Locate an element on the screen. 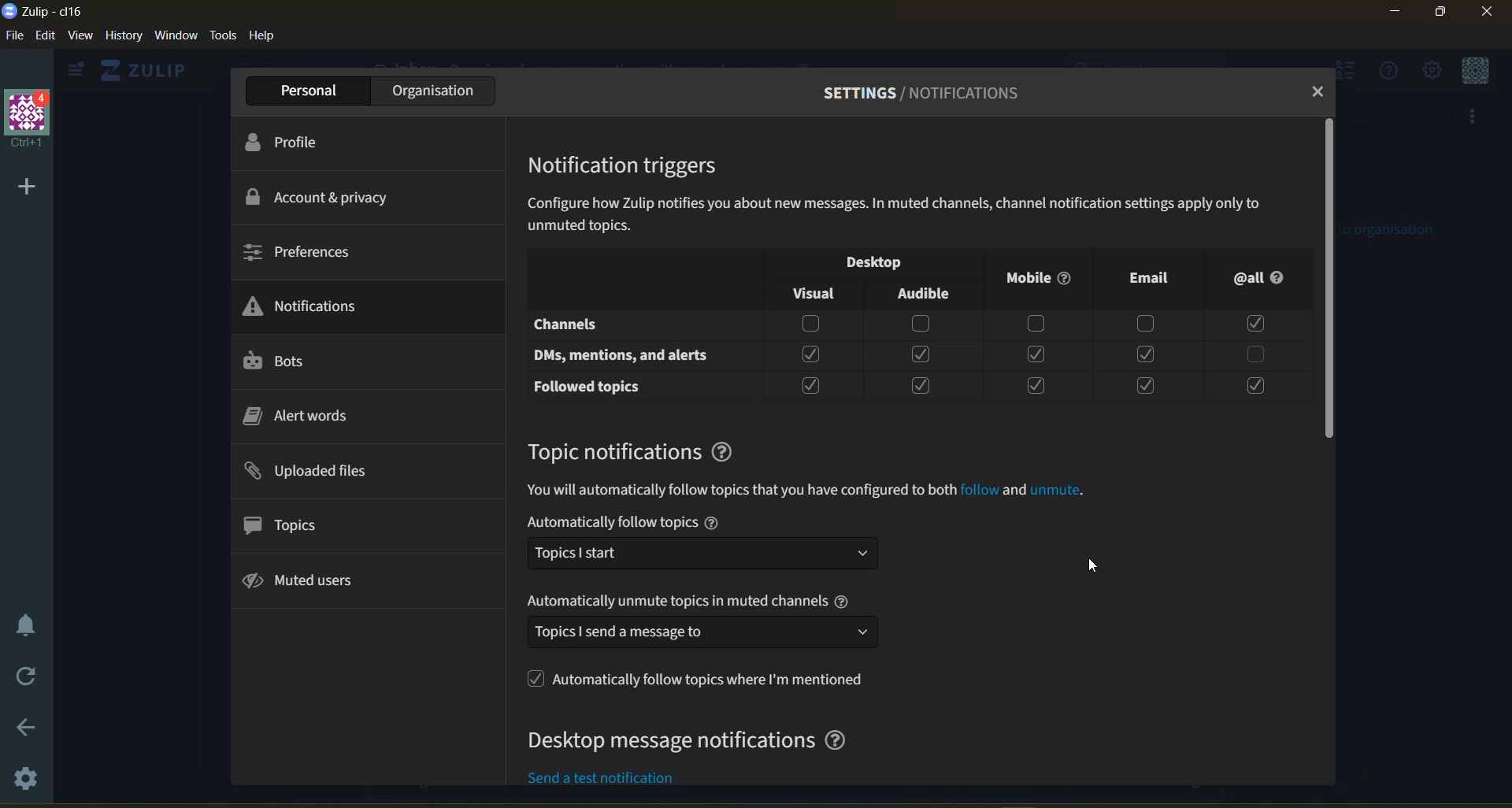 This screenshot has height=808, width=1512. send meesage dropdown is located at coordinates (696, 634).